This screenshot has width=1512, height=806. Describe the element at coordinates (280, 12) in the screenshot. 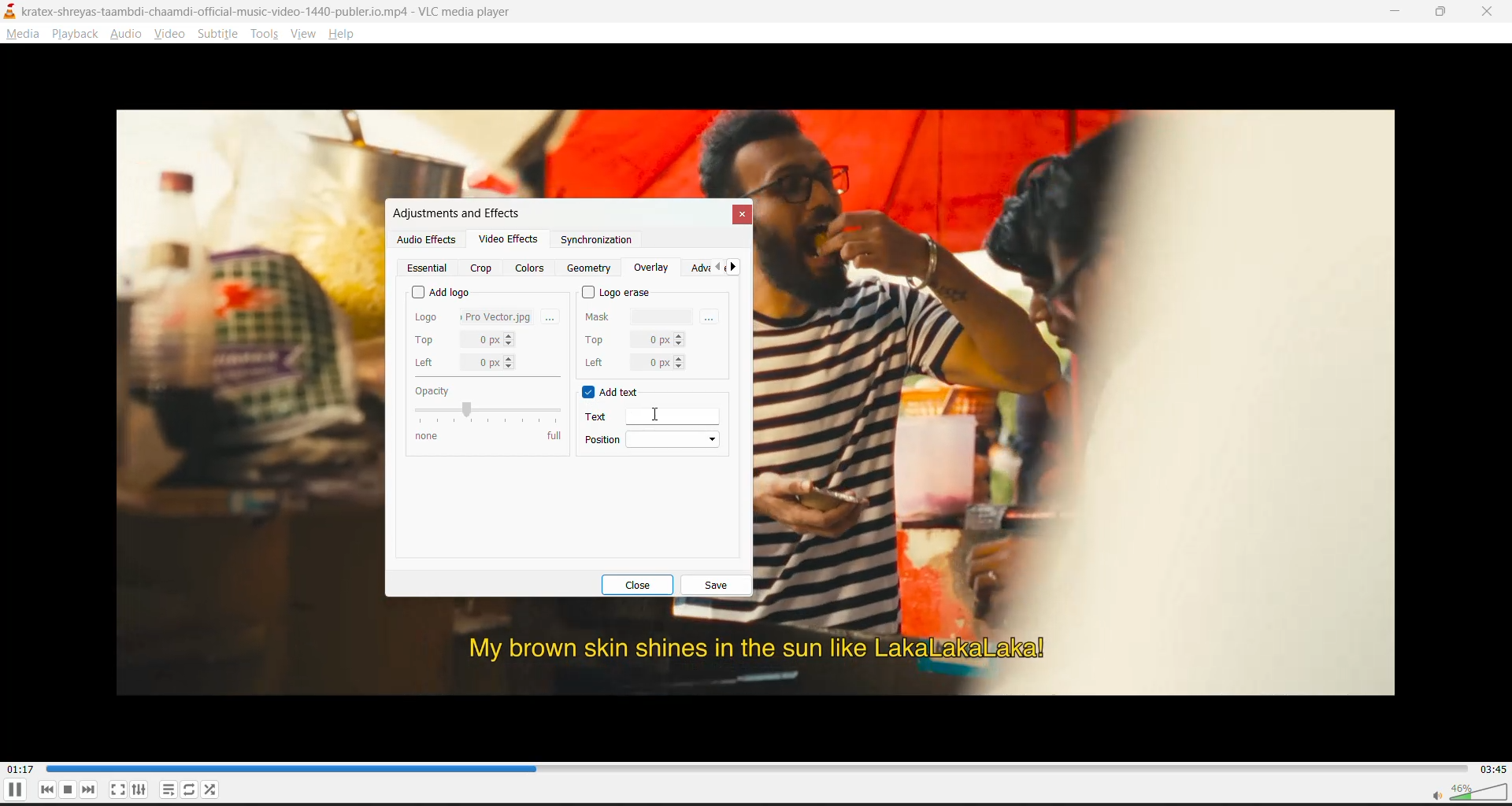

I see `kratex-shreyas-taambdi-chaamdi-official-music-video-1440-publer.io.mp4 - VLC media player` at that location.